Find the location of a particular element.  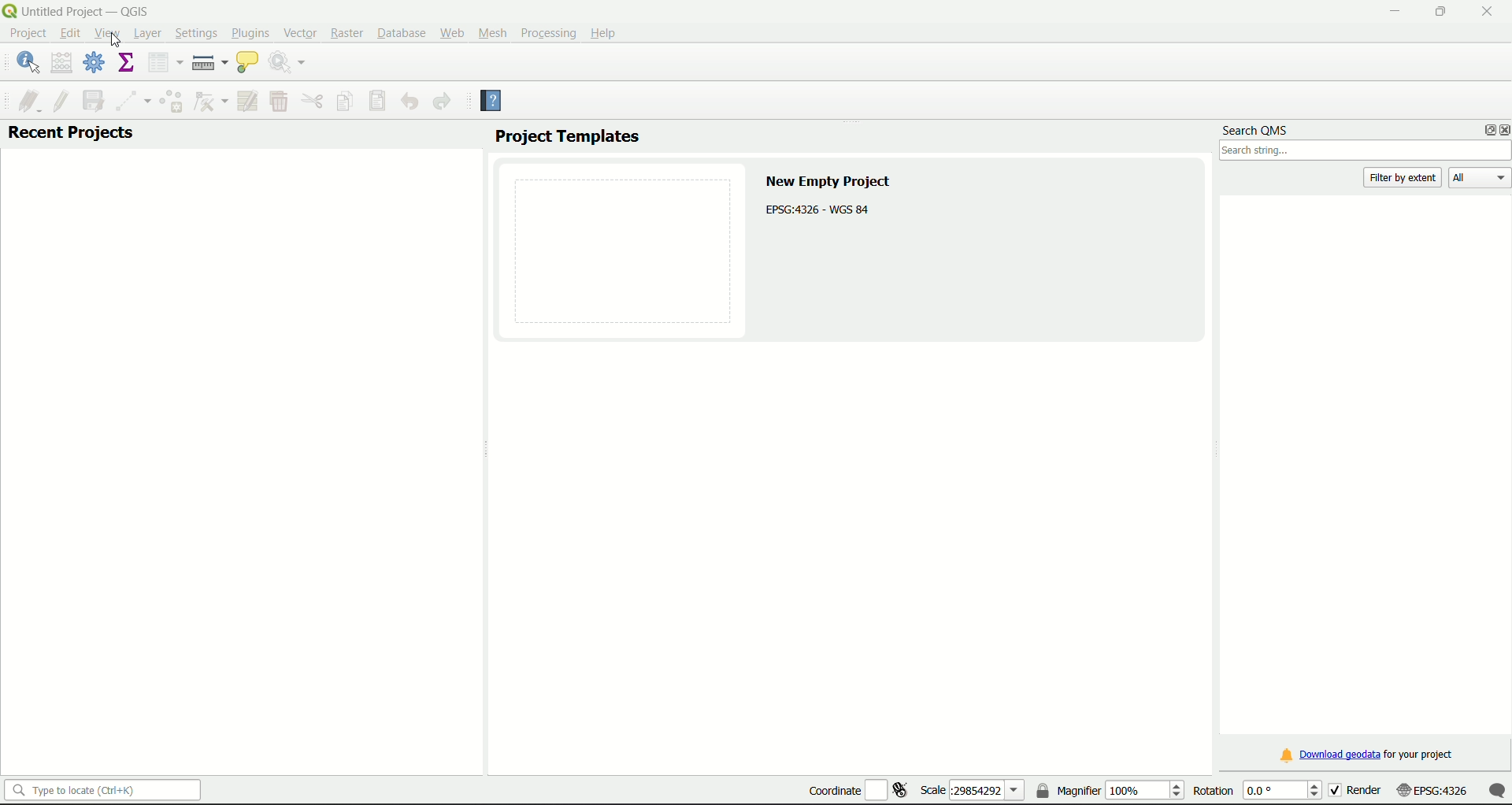

Digitize with segment is located at coordinates (132, 101).